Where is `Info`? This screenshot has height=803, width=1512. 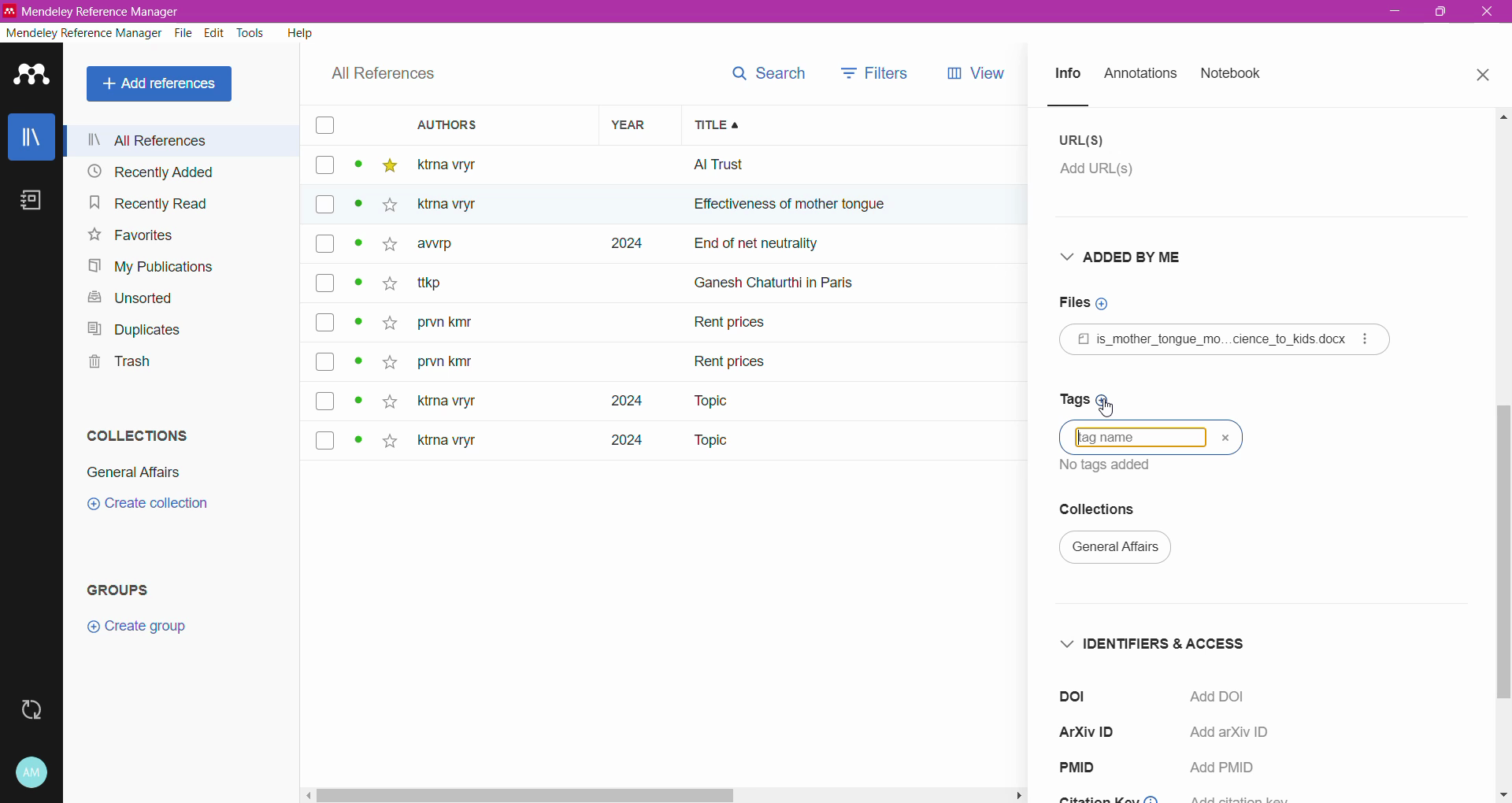
Info is located at coordinates (1066, 75).